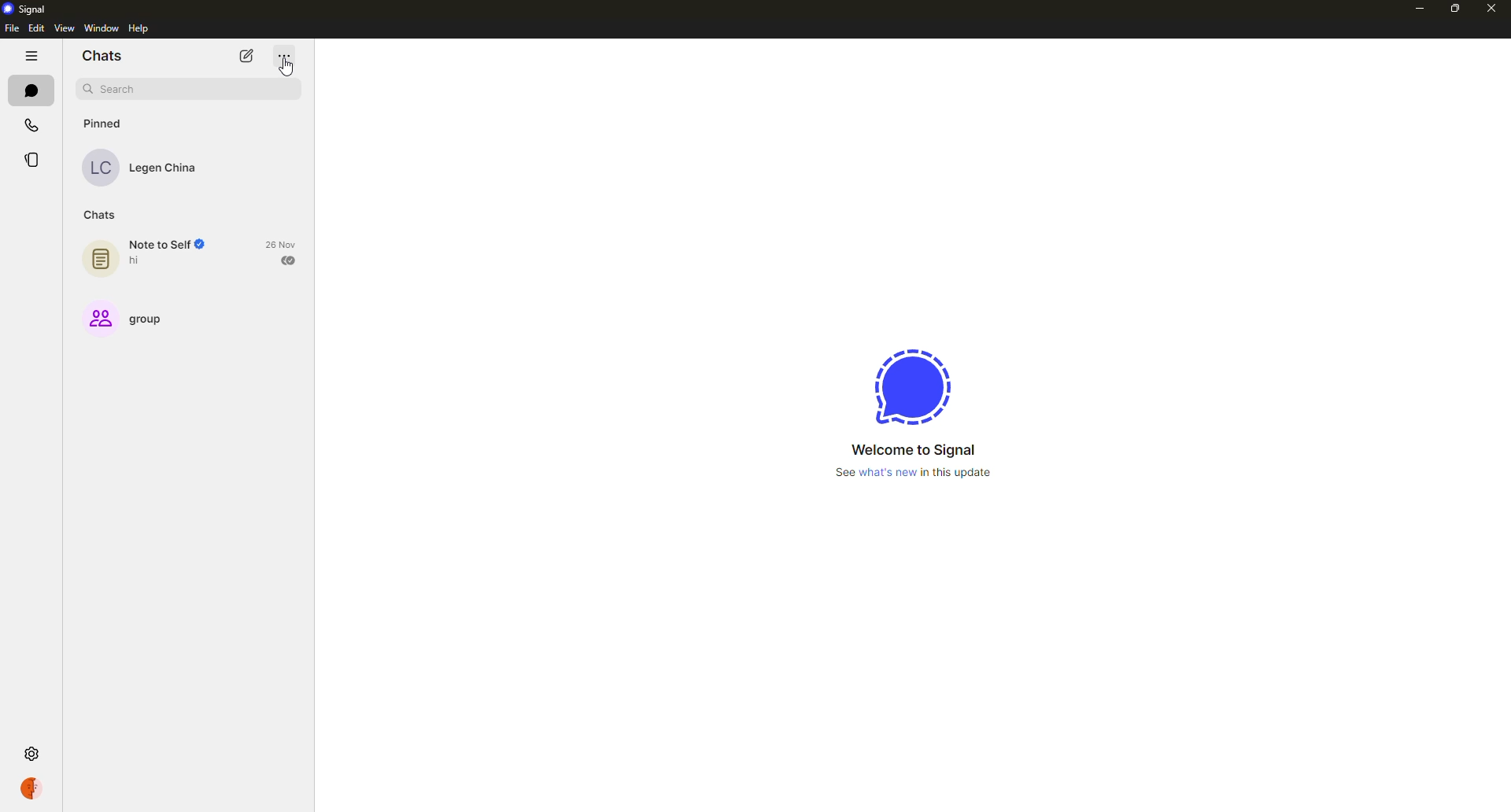 The height and width of the screenshot is (812, 1511). Describe the element at coordinates (903, 385) in the screenshot. I see `signal` at that location.